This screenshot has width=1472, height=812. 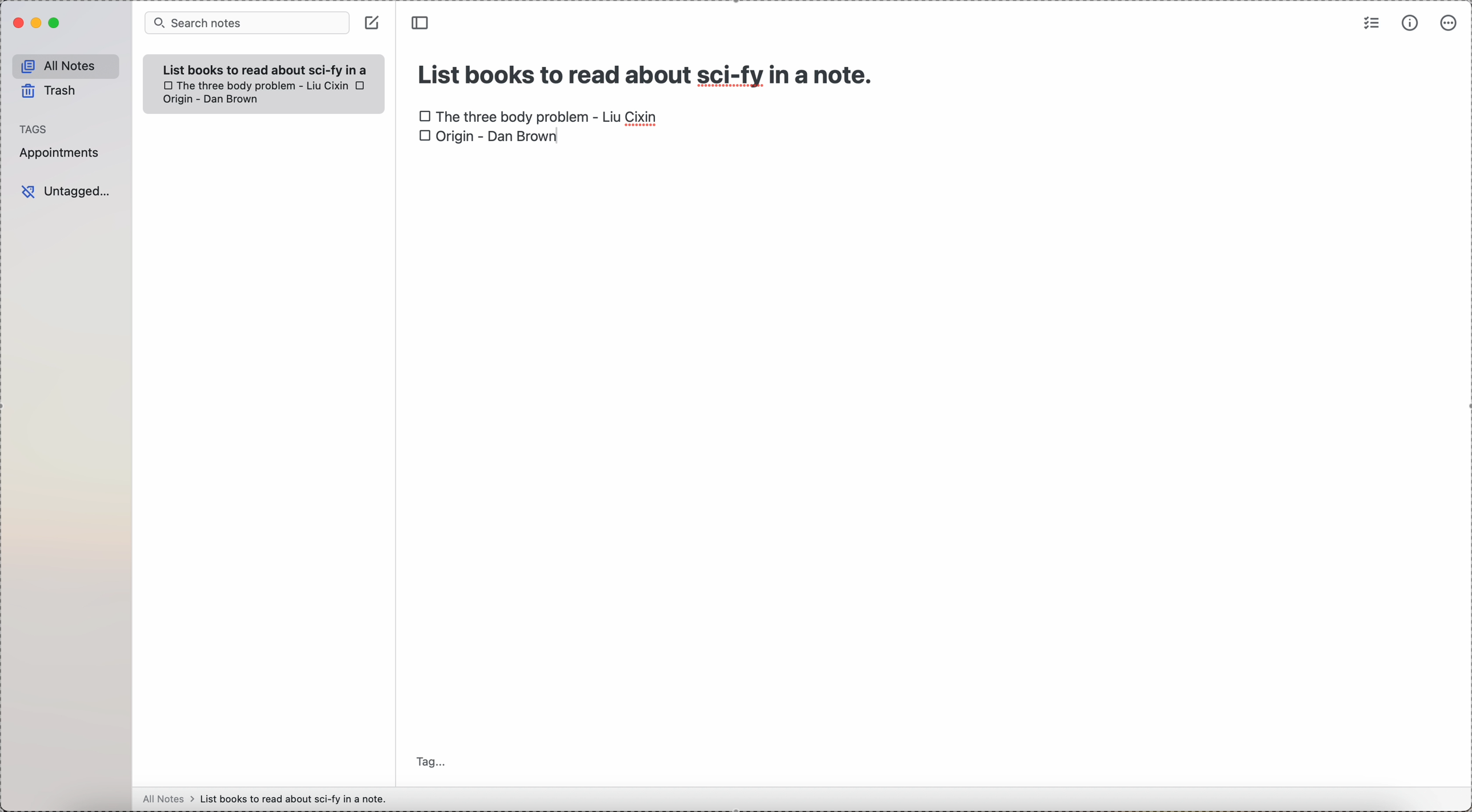 What do you see at coordinates (211, 100) in the screenshot?
I see `second book` at bounding box center [211, 100].